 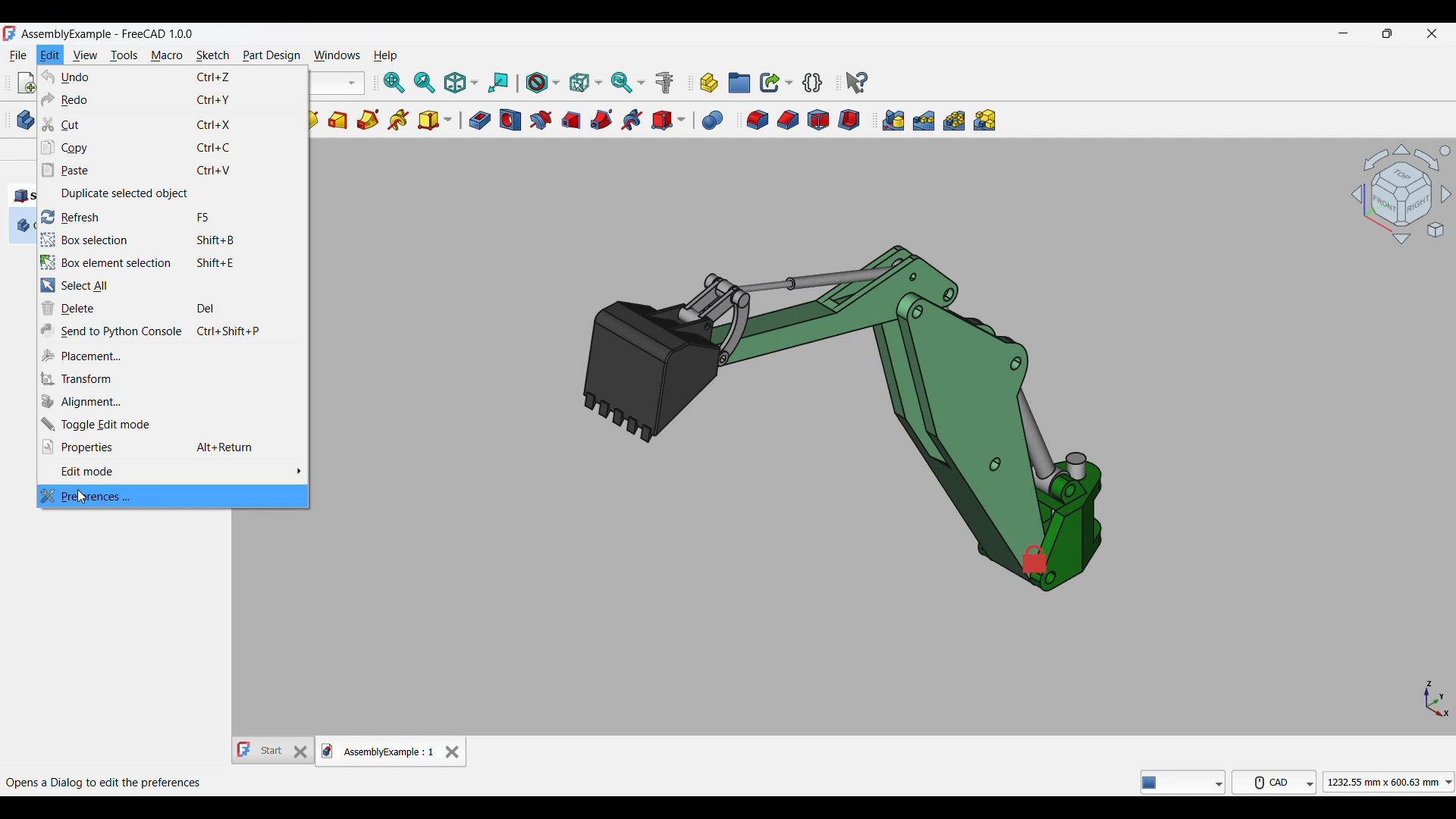 I want to click on Measure, so click(x=665, y=83).